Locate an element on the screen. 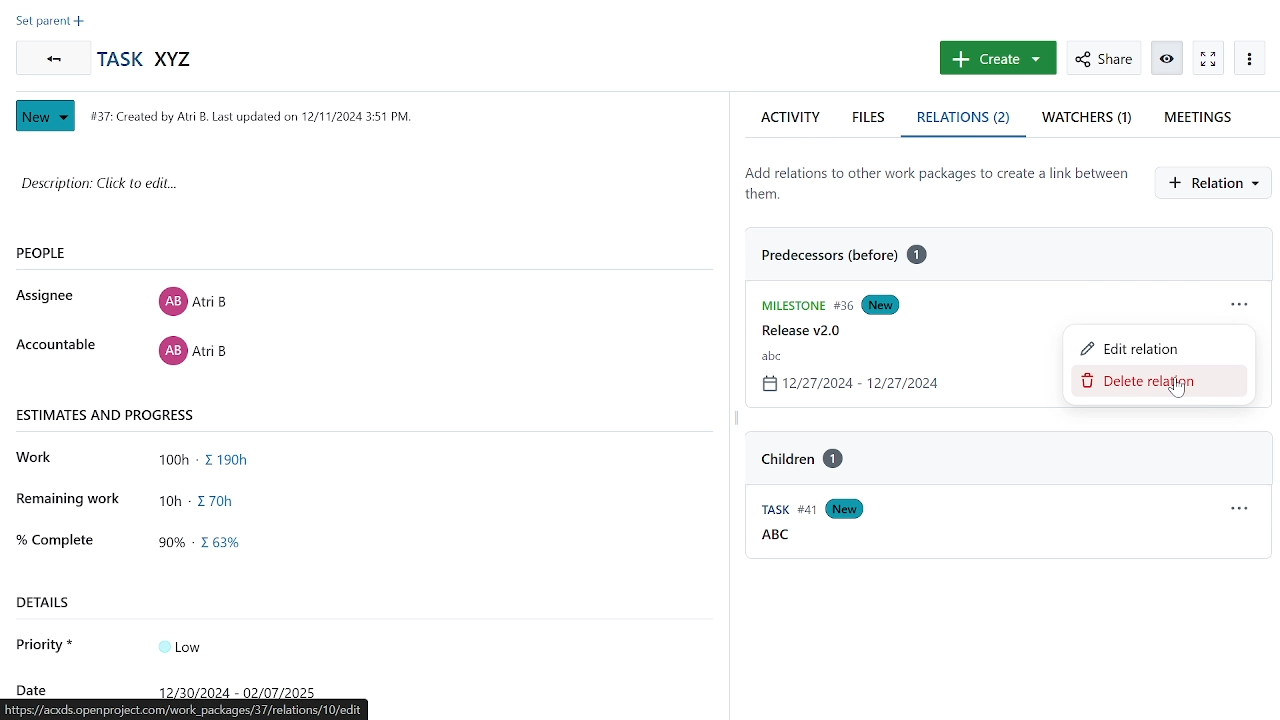  accountable is located at coordinates (55, 346).